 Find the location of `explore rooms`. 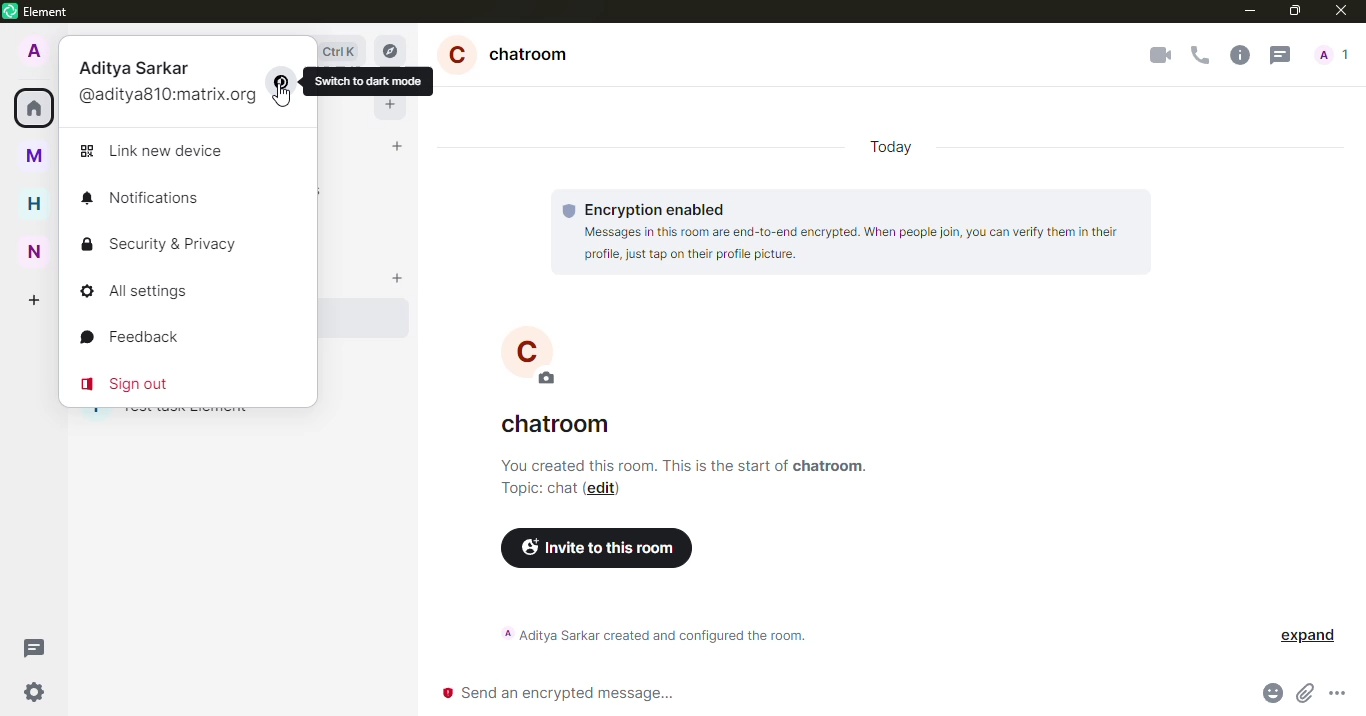

explore rooms is located at coordinates (393, 51).